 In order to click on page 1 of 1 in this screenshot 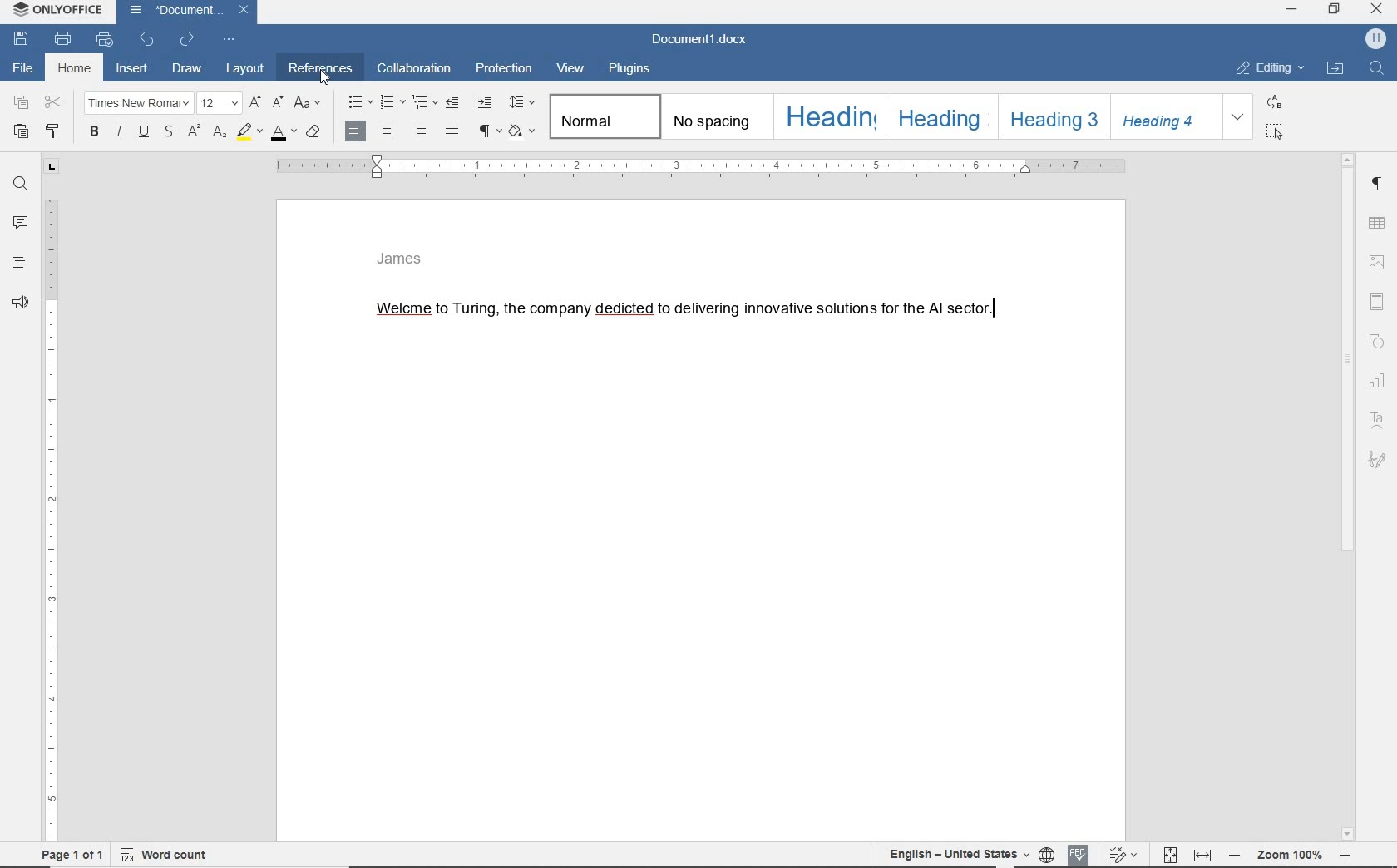, I will do `click(72, 856)`.